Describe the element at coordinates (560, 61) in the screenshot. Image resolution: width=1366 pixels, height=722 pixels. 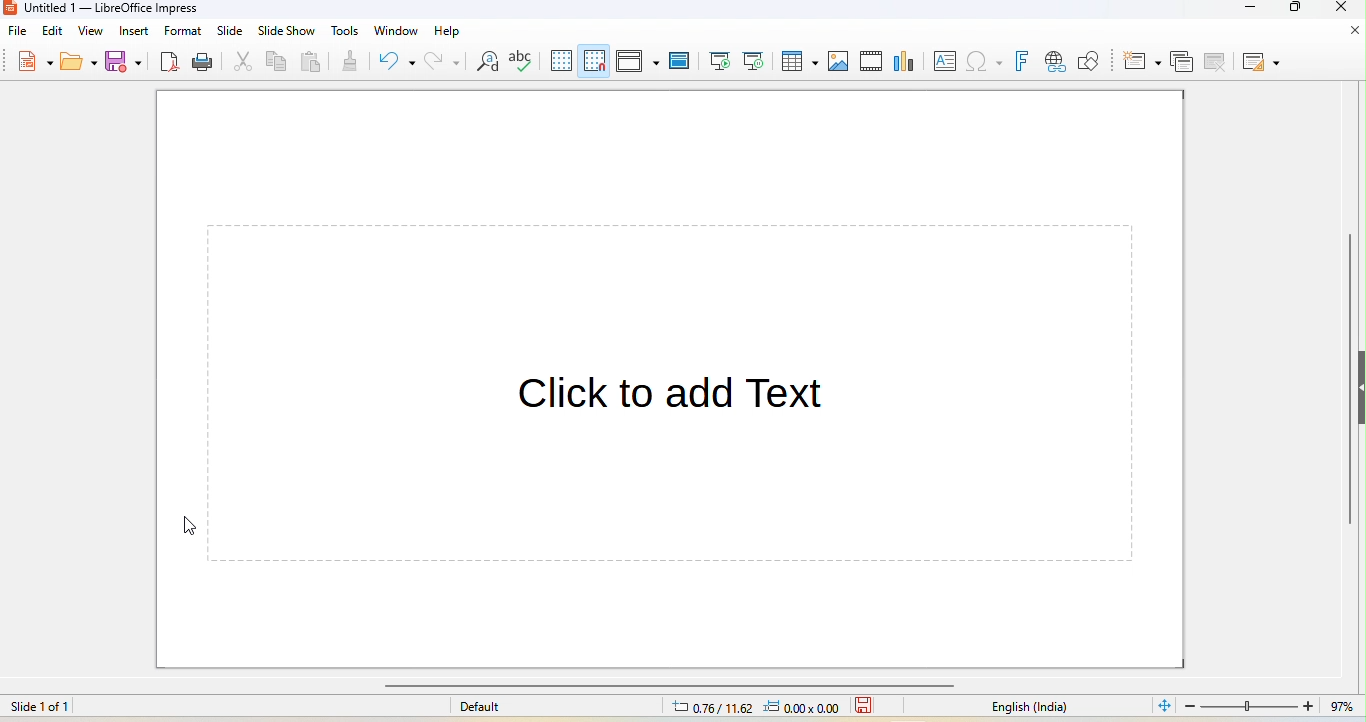
I see `display grid` at that location.